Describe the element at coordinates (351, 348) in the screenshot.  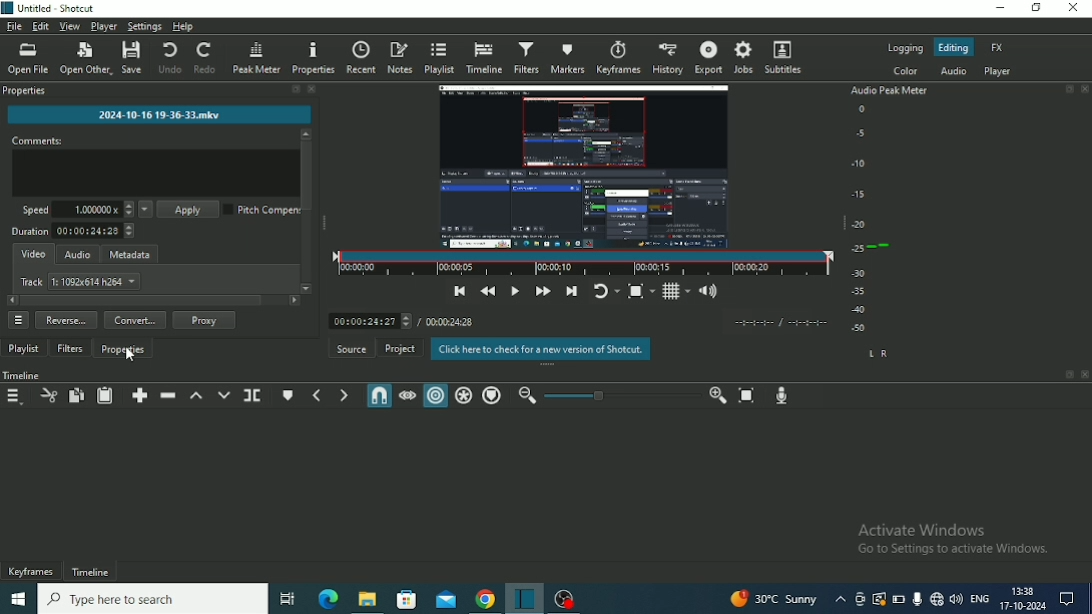
I see `Source` at that location.